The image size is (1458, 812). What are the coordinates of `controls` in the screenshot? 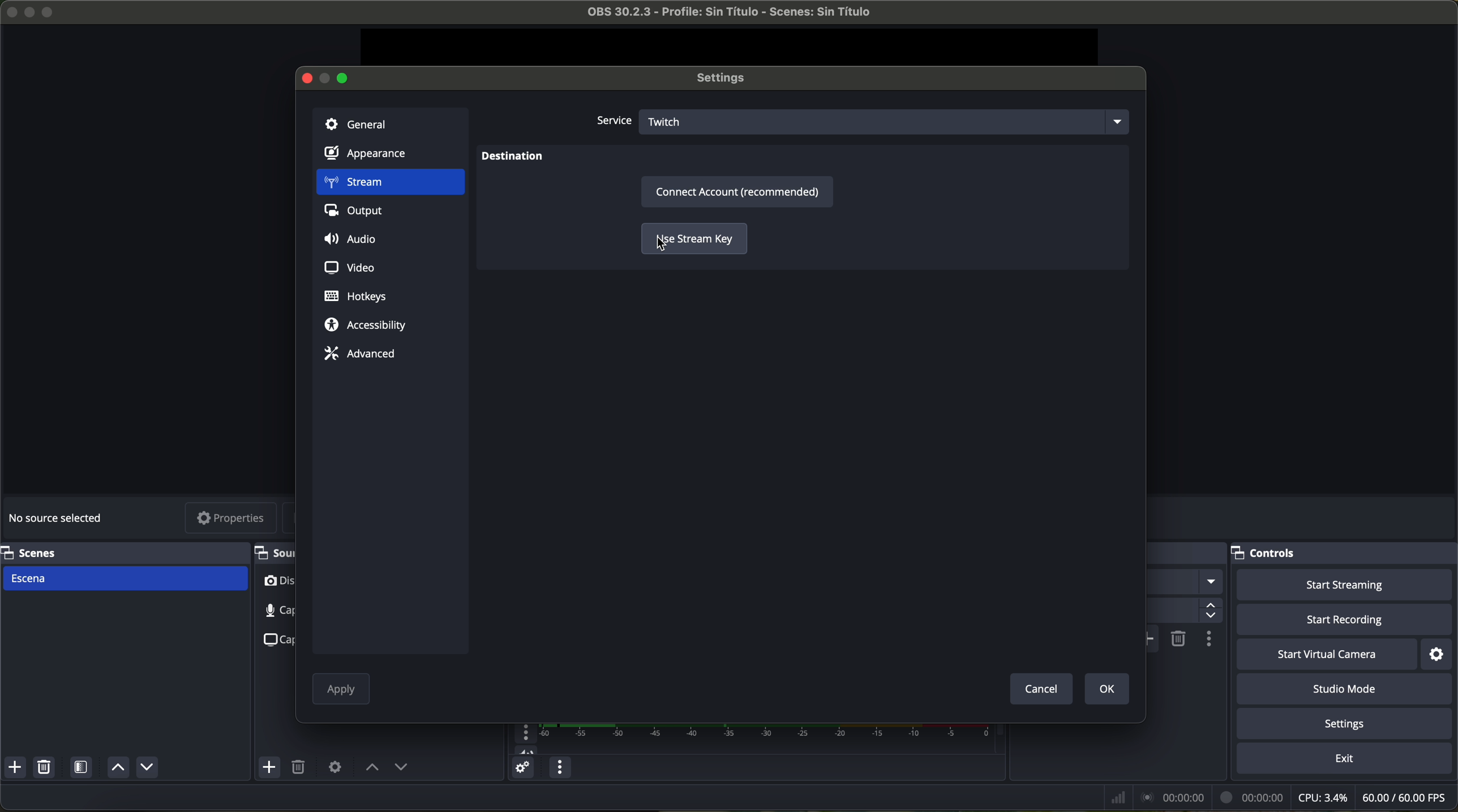 It's located at (1344, 553).